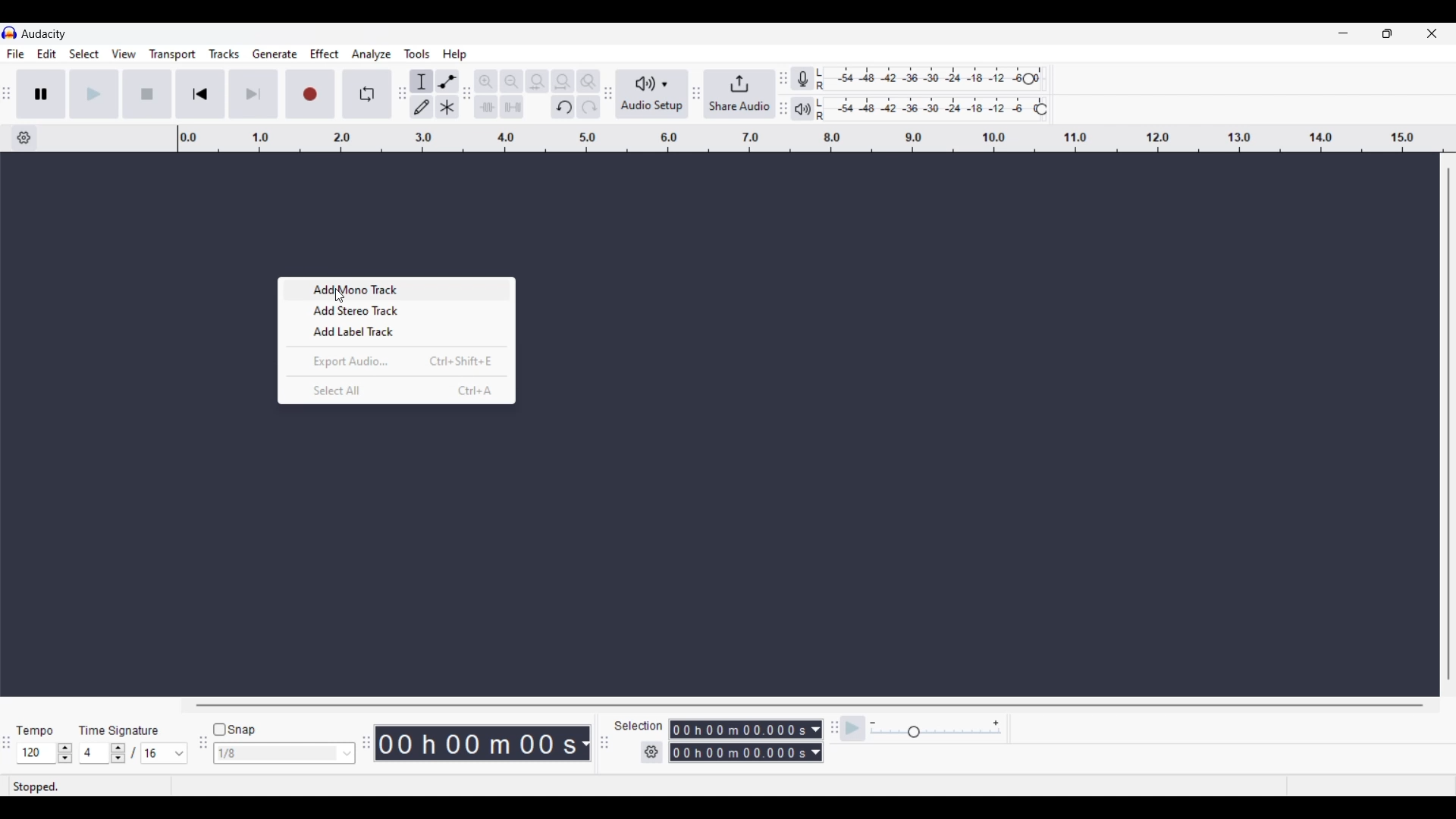  I want to click on File menu, so click(15, 54).